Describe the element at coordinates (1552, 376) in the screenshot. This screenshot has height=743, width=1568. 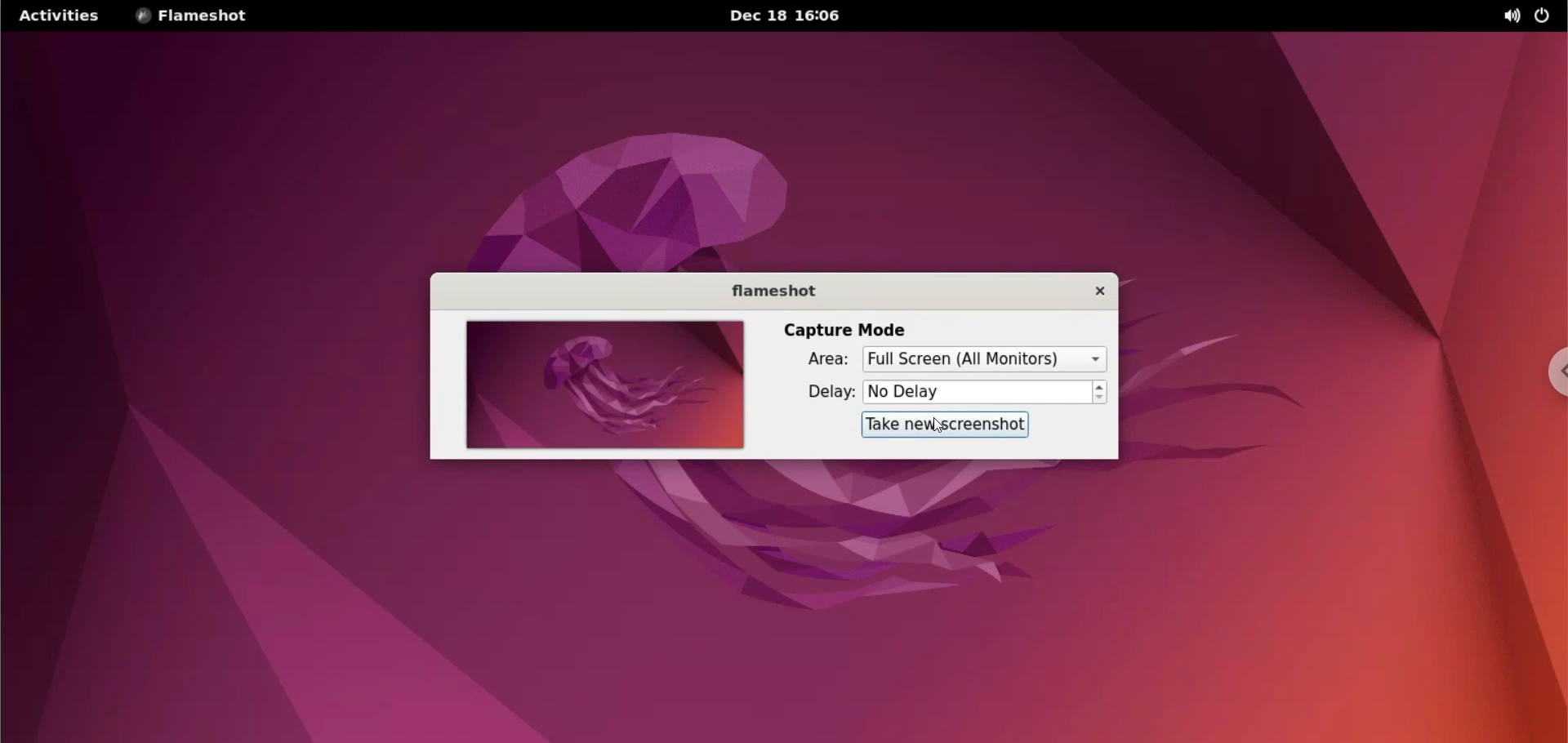
I see `chrome options` at that location.